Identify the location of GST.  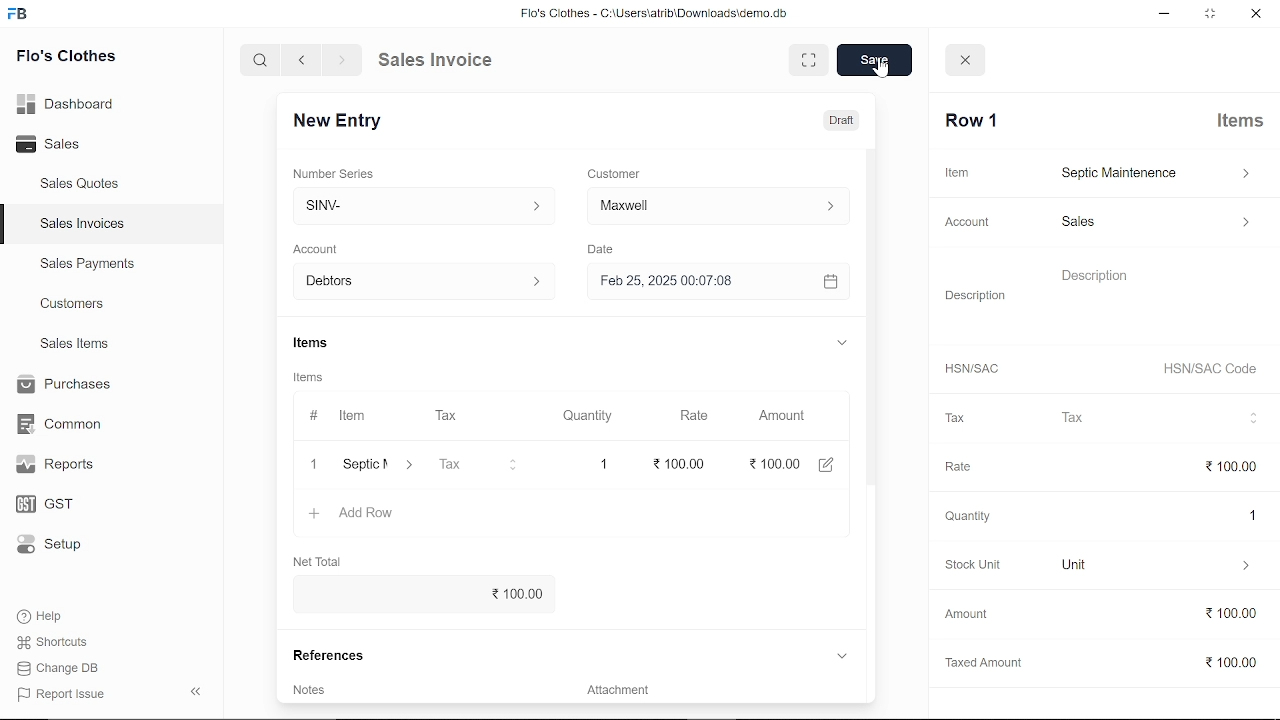
(55, 501).